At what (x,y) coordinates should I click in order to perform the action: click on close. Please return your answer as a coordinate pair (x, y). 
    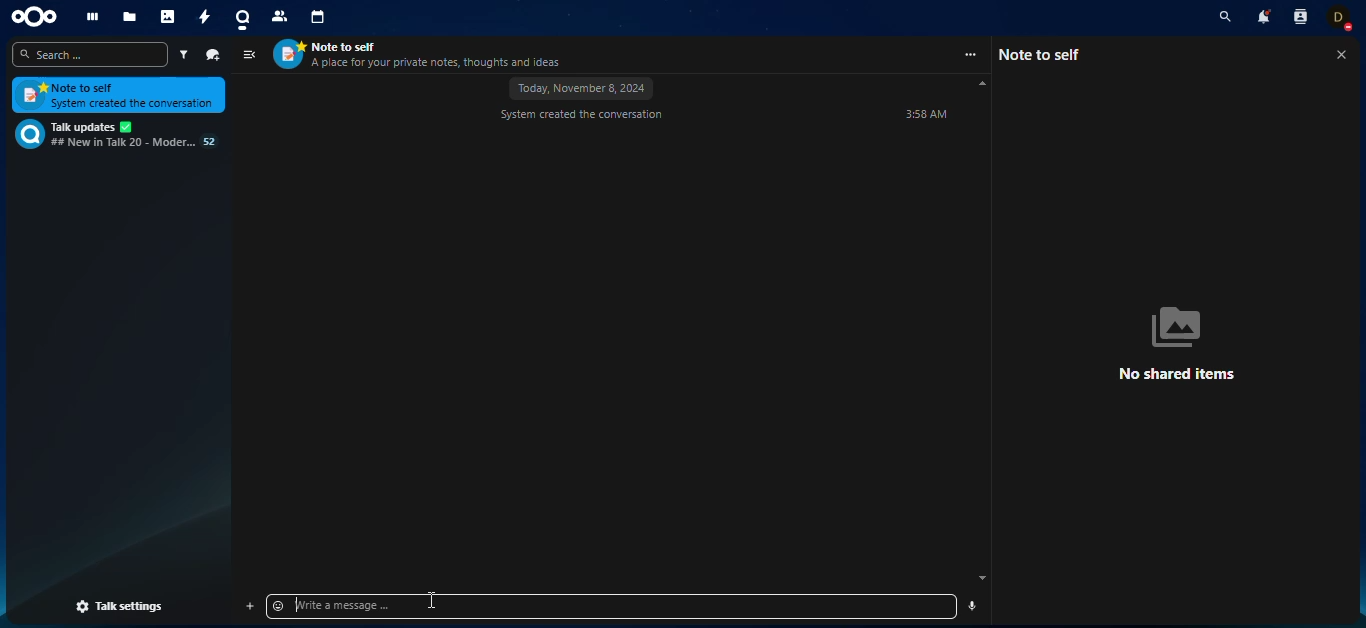
    Looking at the image, I should click on (1340, 56).